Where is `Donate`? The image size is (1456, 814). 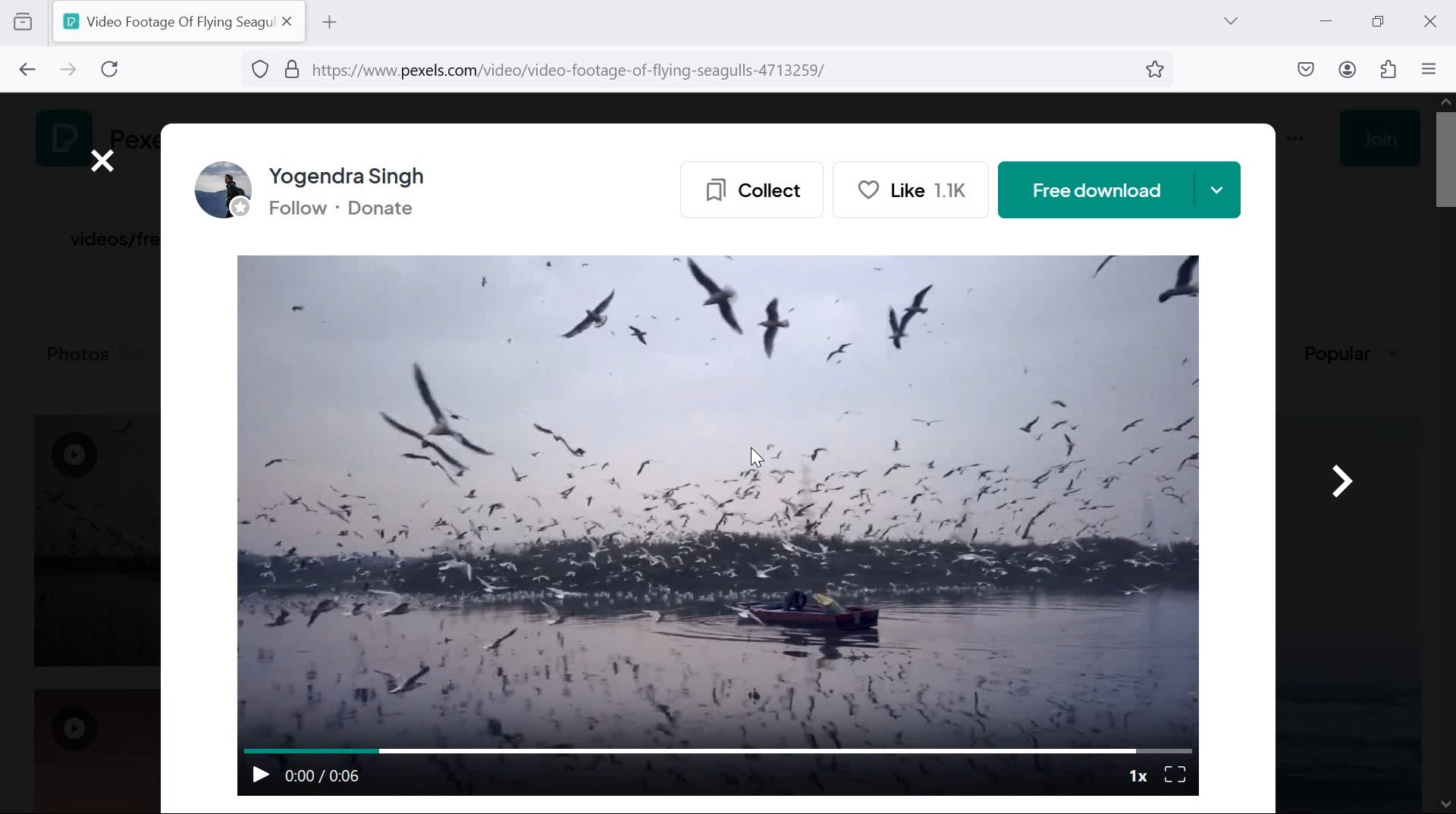 Donate is located at coordinates (391, 211).